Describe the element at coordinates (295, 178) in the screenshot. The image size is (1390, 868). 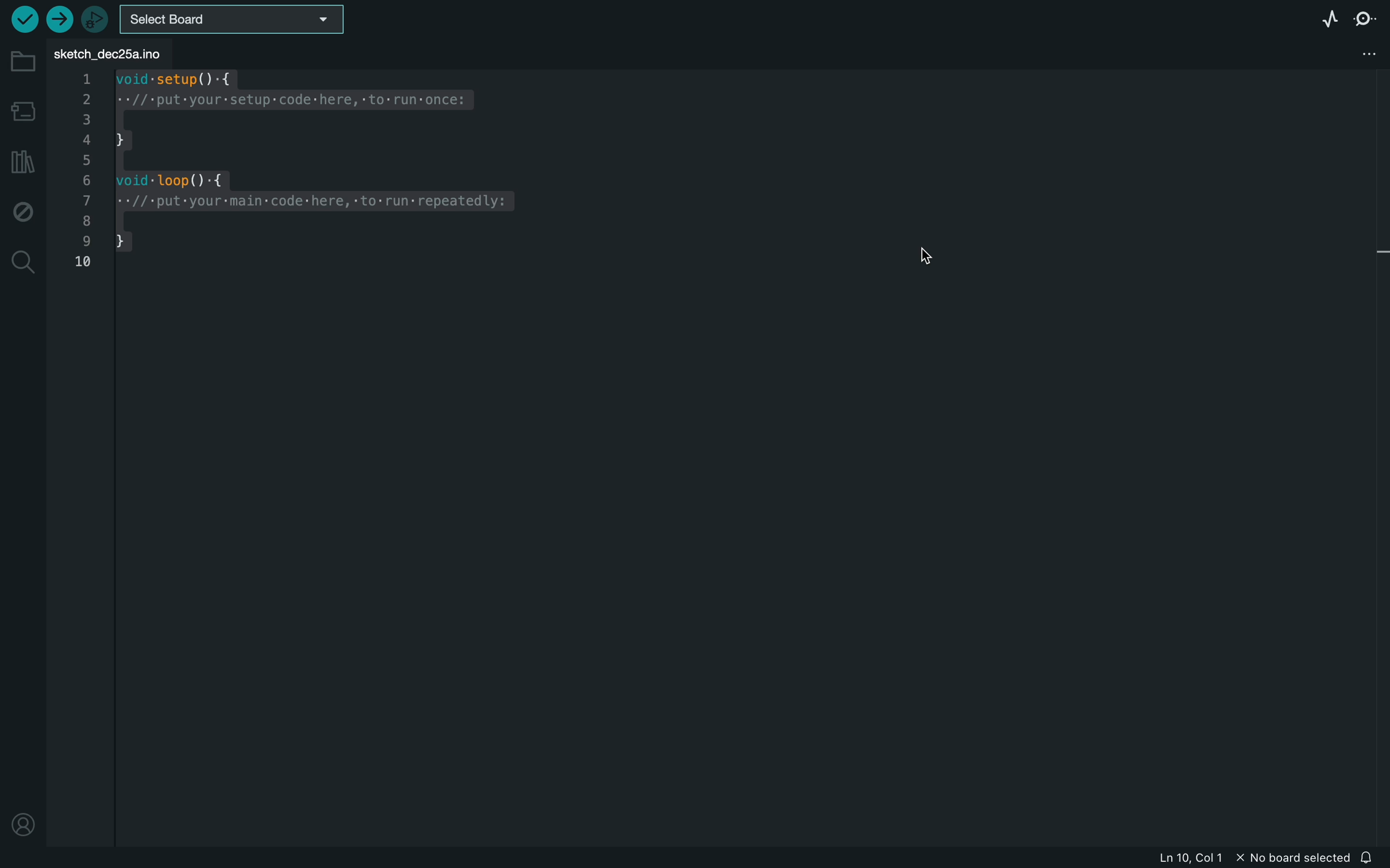
I see `code` at that location.